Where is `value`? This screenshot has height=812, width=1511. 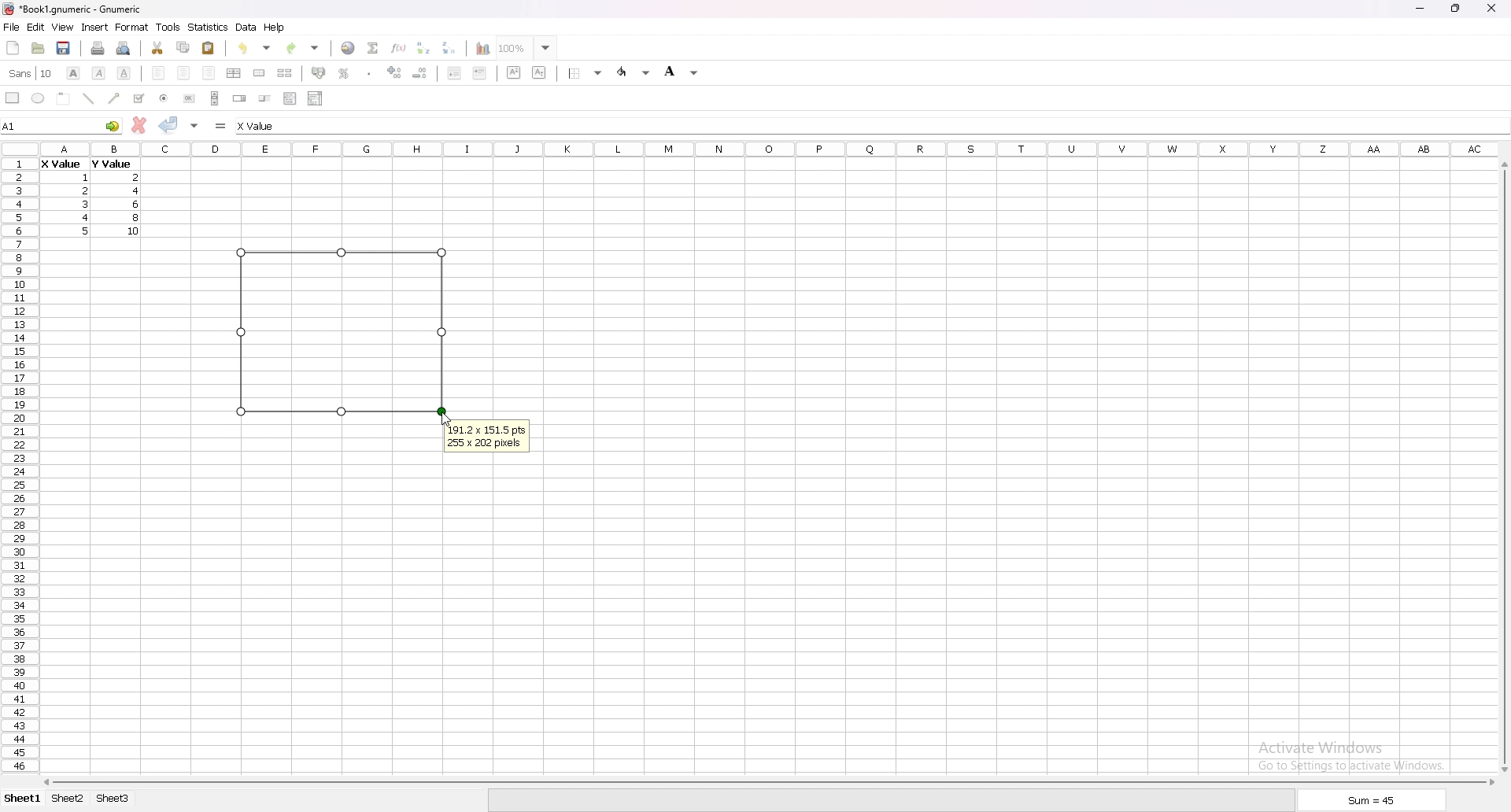
value is located at coordinates (84, 190).